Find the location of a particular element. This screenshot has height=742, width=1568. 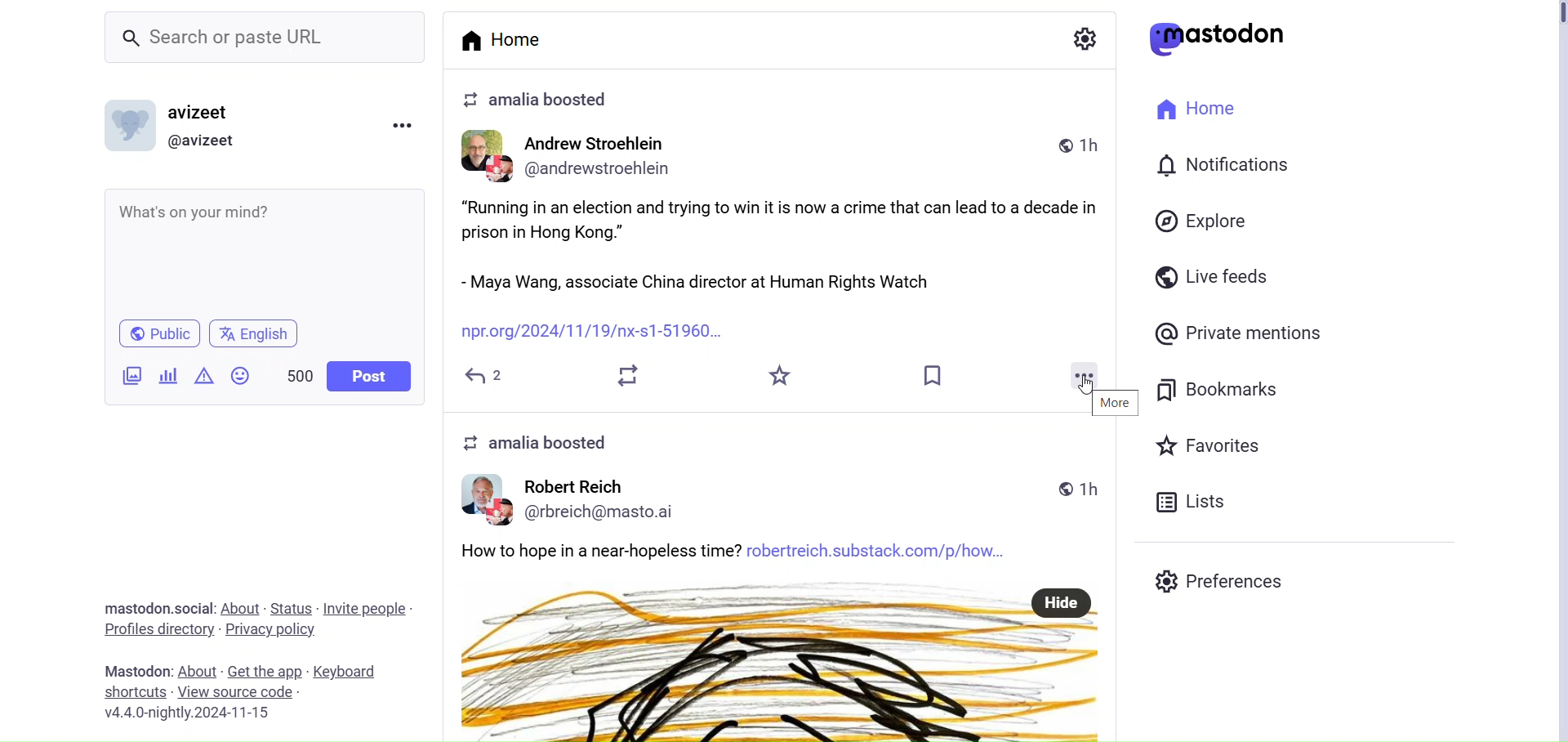

@ User Name is located at coordinates (205, 141).